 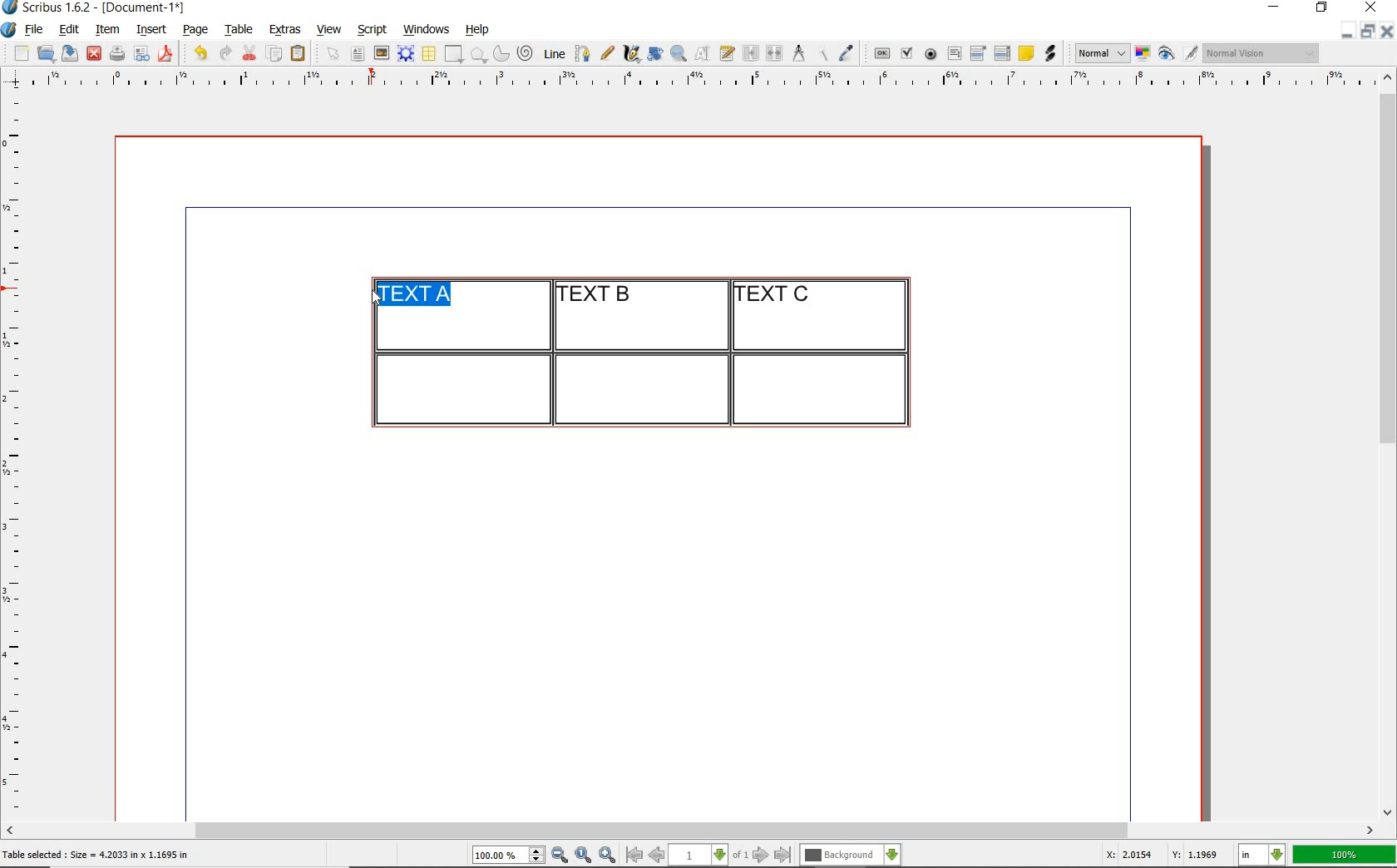 I want to click on pdf list box, so click(x=1003, y=53).